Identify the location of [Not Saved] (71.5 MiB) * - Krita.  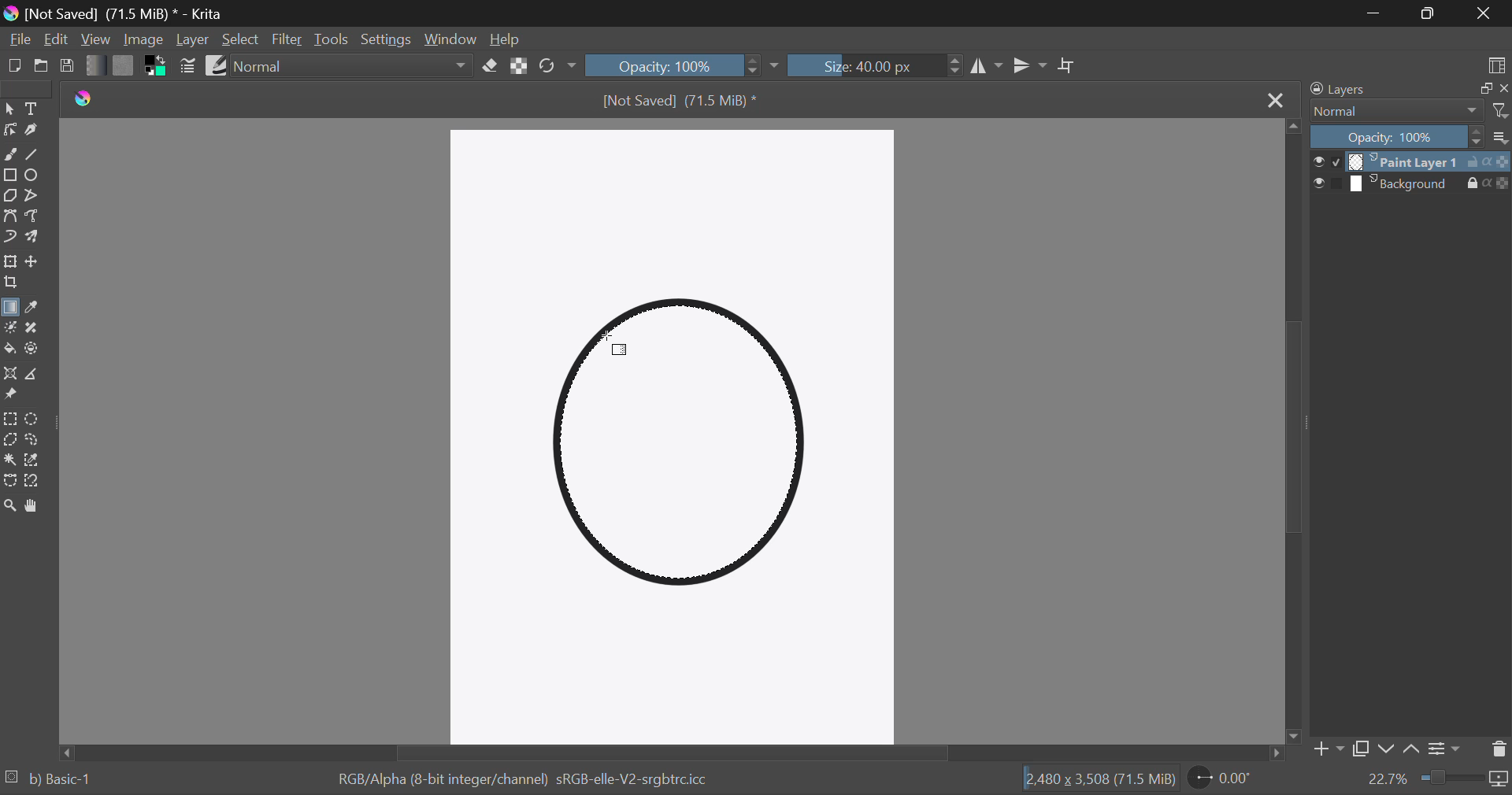
(124, 15).